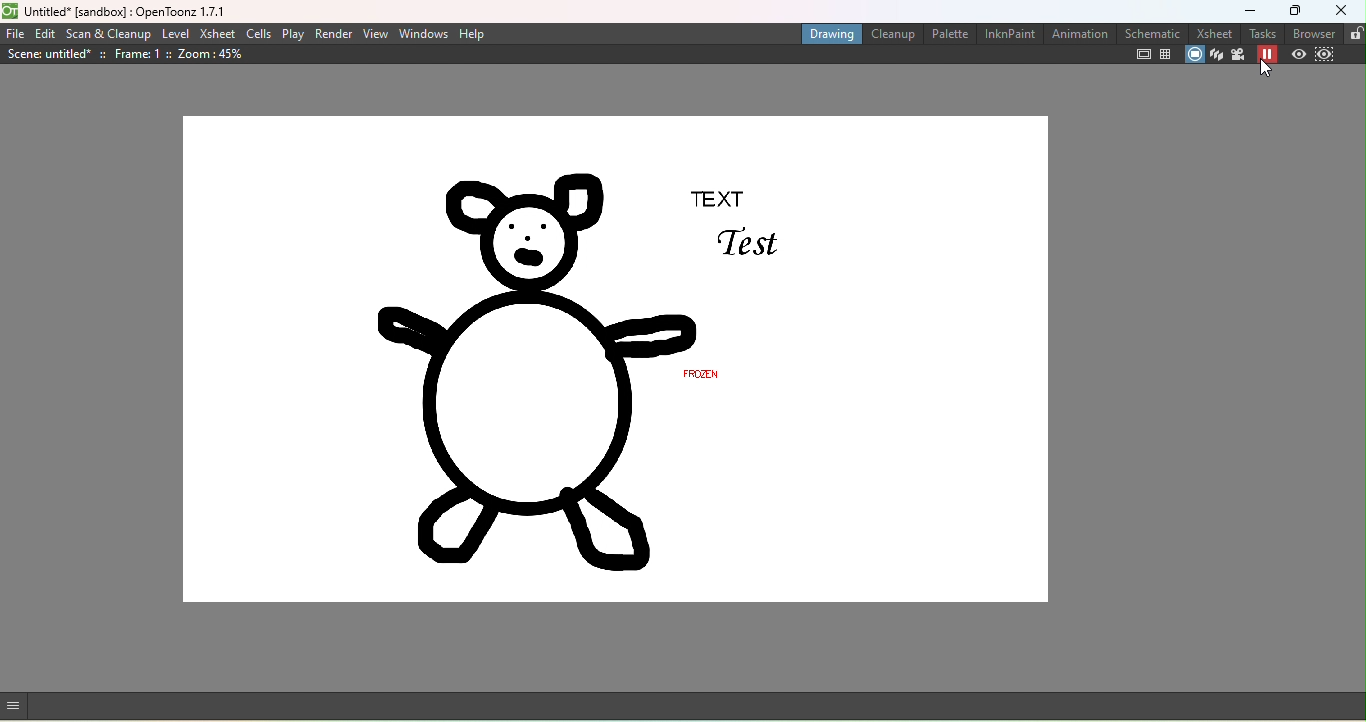 The width and height of the screenshot is (1366, 722). What do you see at coordinates (333, 34) in the screenshot?
I see `Render` at bounding box center [333, 34].